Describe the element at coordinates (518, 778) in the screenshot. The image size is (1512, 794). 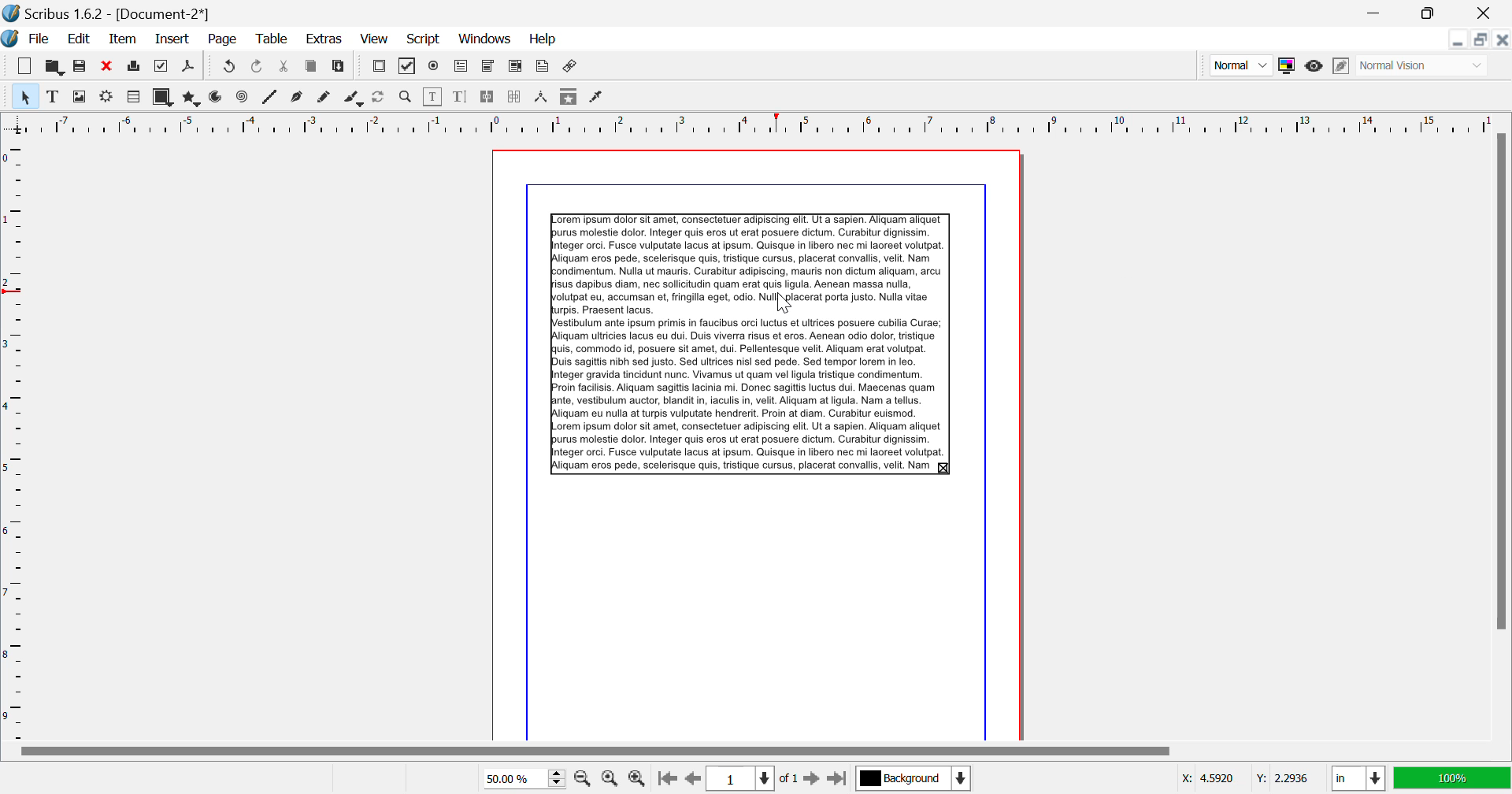
I see `Zoom 50%` at that location.